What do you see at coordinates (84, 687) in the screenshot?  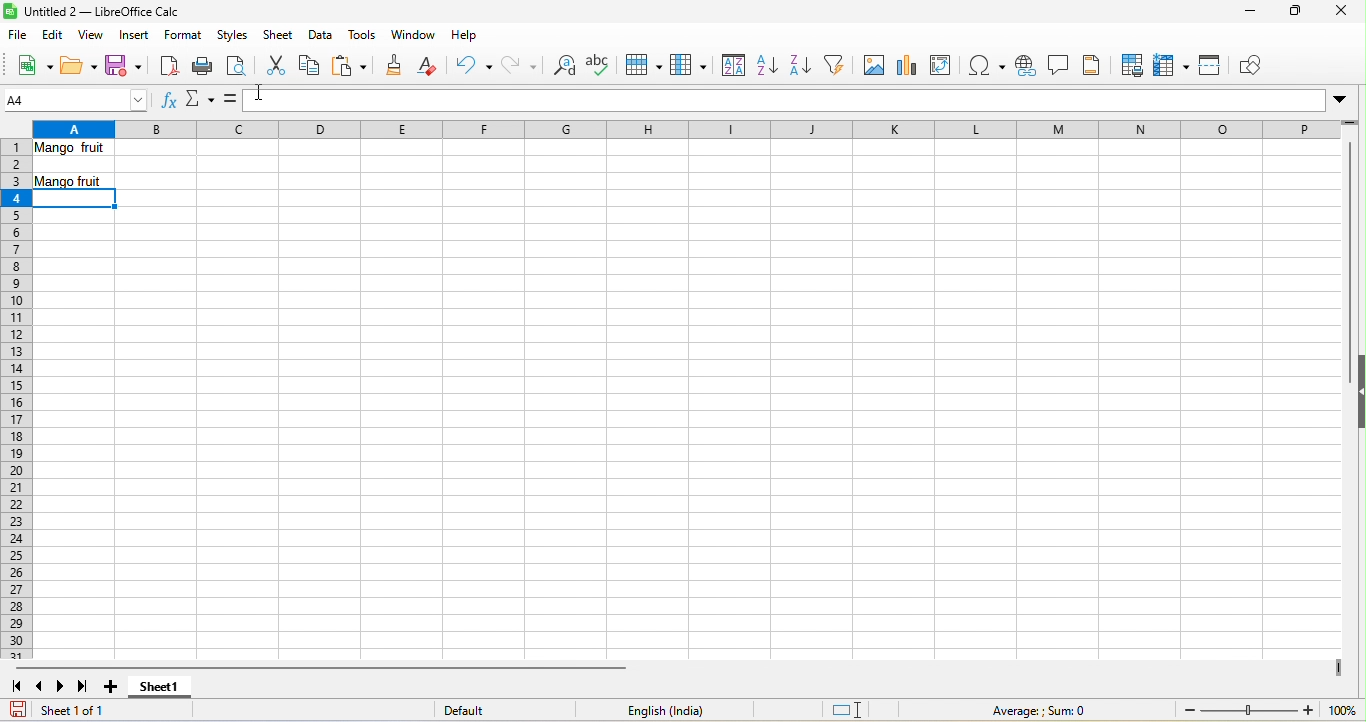 I see `scroll to last sheet` at bounding box center [84, 687].